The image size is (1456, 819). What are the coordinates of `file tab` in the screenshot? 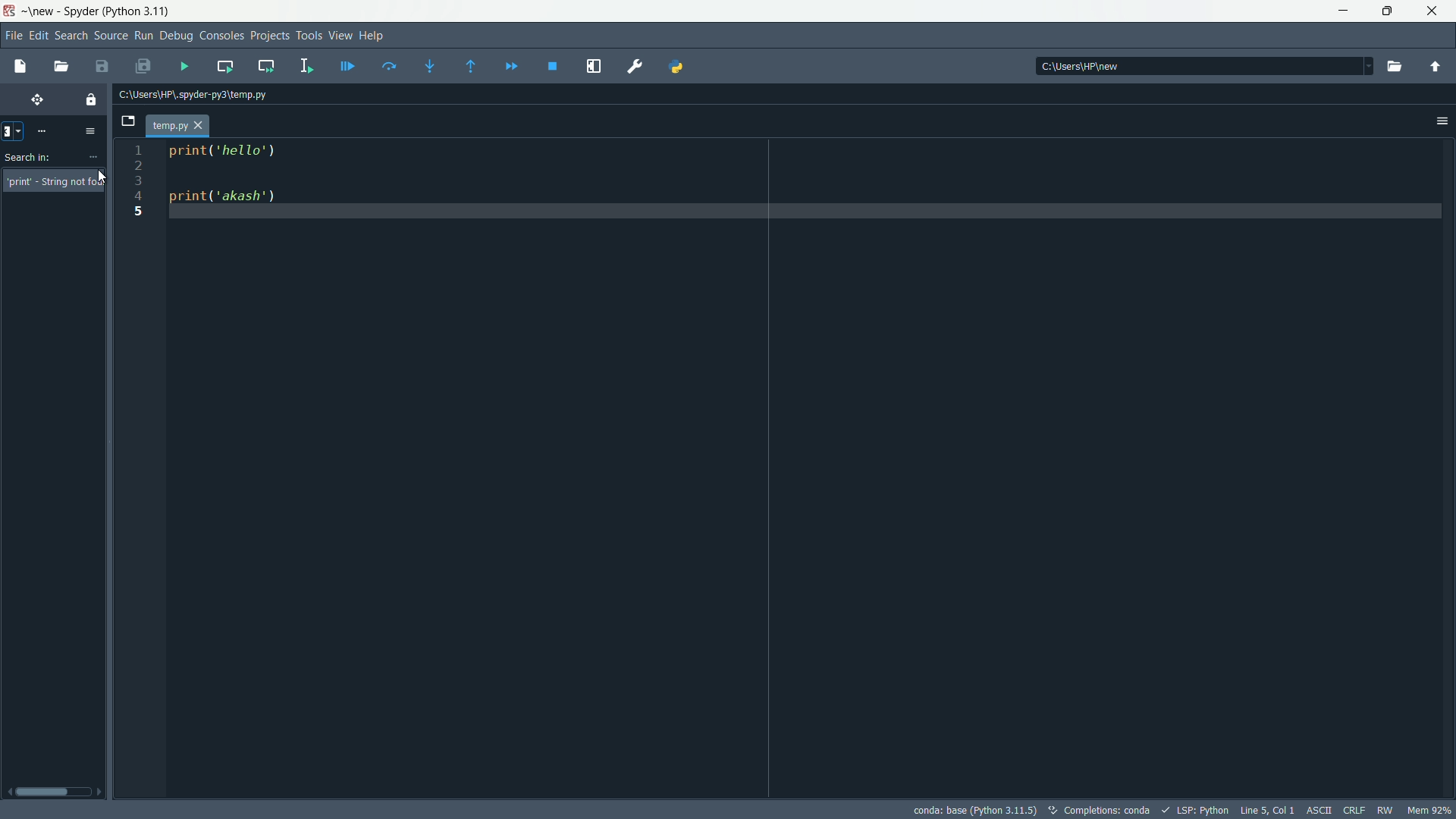 It's located at (177, 126).